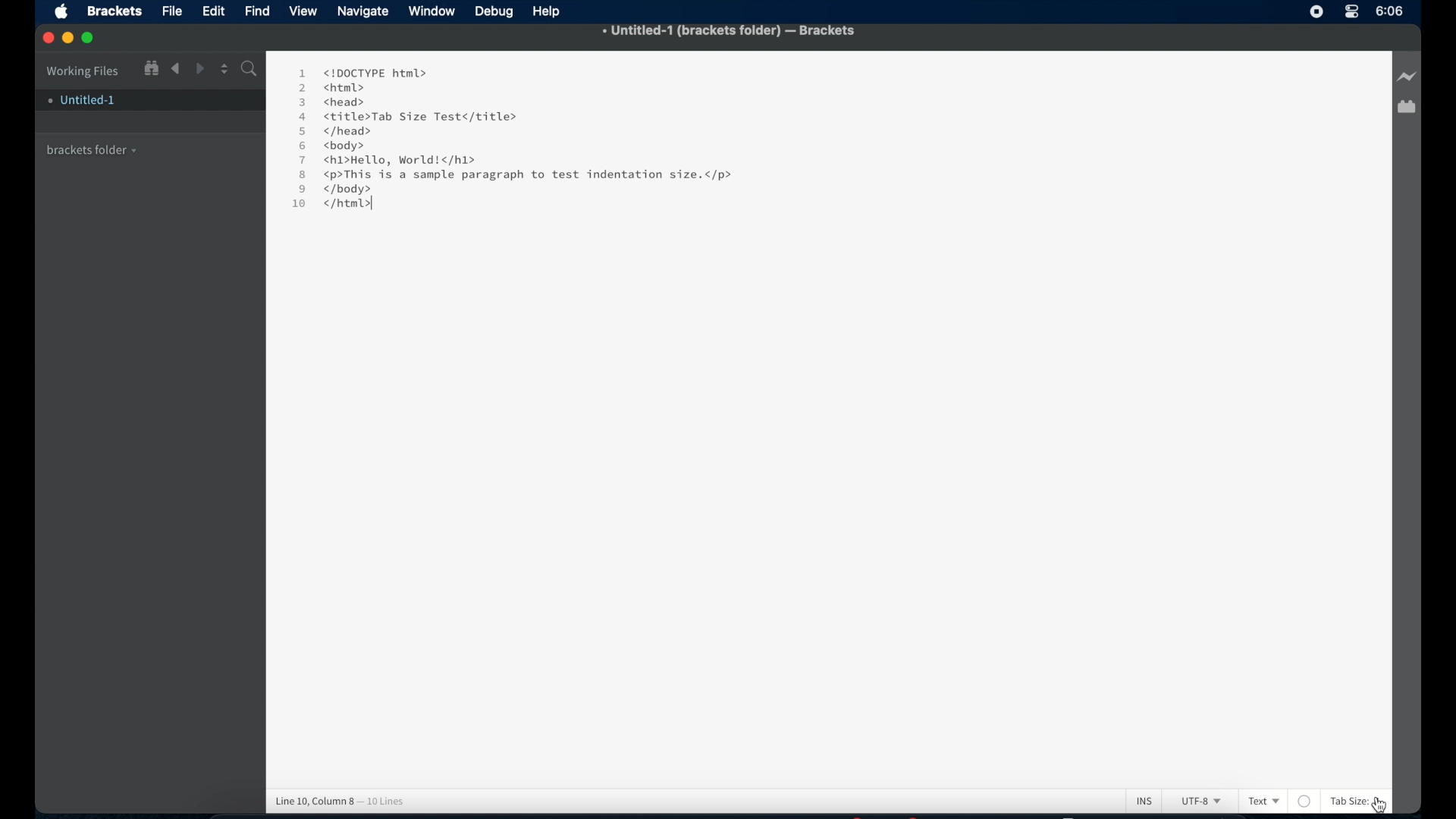 This screenshot has height=819, width=1456. Describe the element at coordinates (150, 67) in the screenshot. I see `Zoom in` at that location.